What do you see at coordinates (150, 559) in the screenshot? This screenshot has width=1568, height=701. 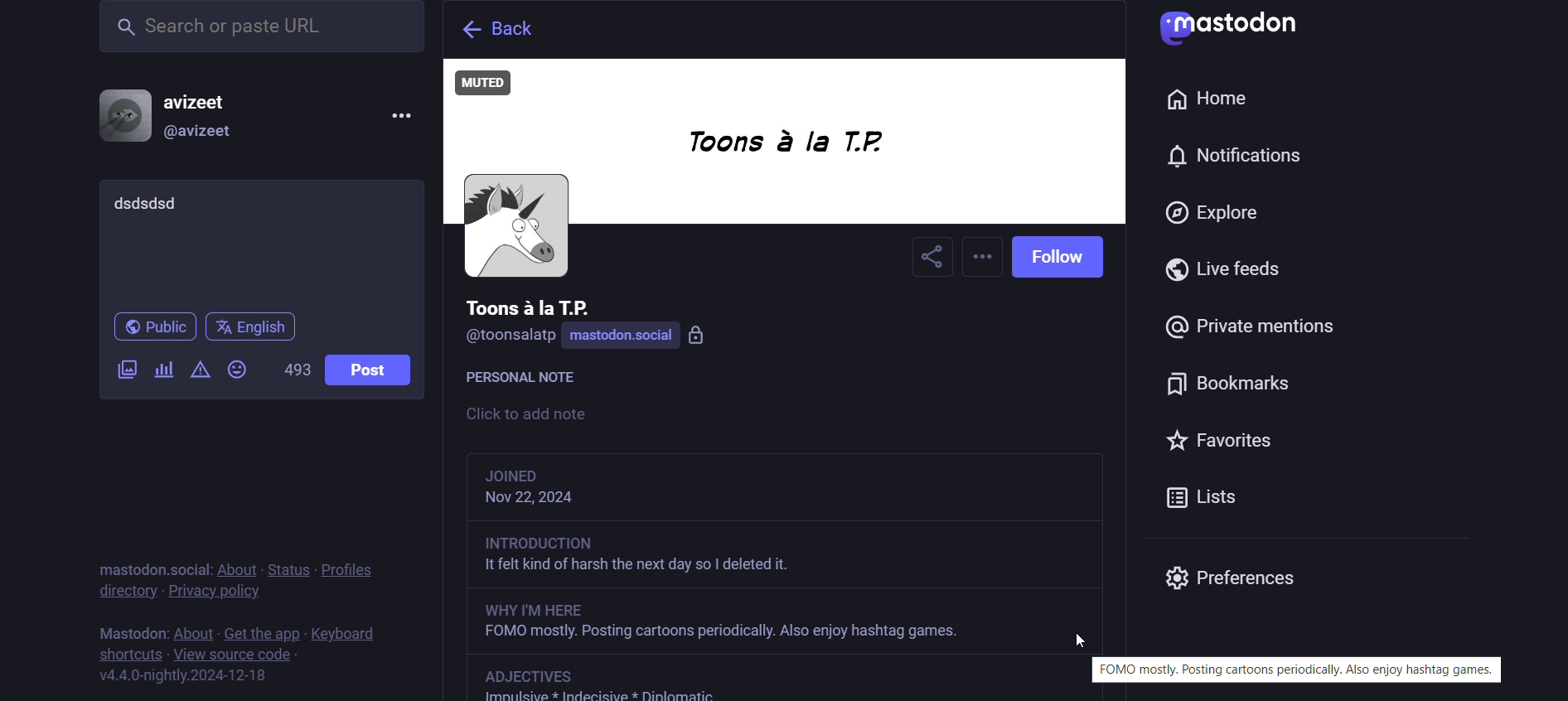 I see `text` at bounding box center [150, 559].